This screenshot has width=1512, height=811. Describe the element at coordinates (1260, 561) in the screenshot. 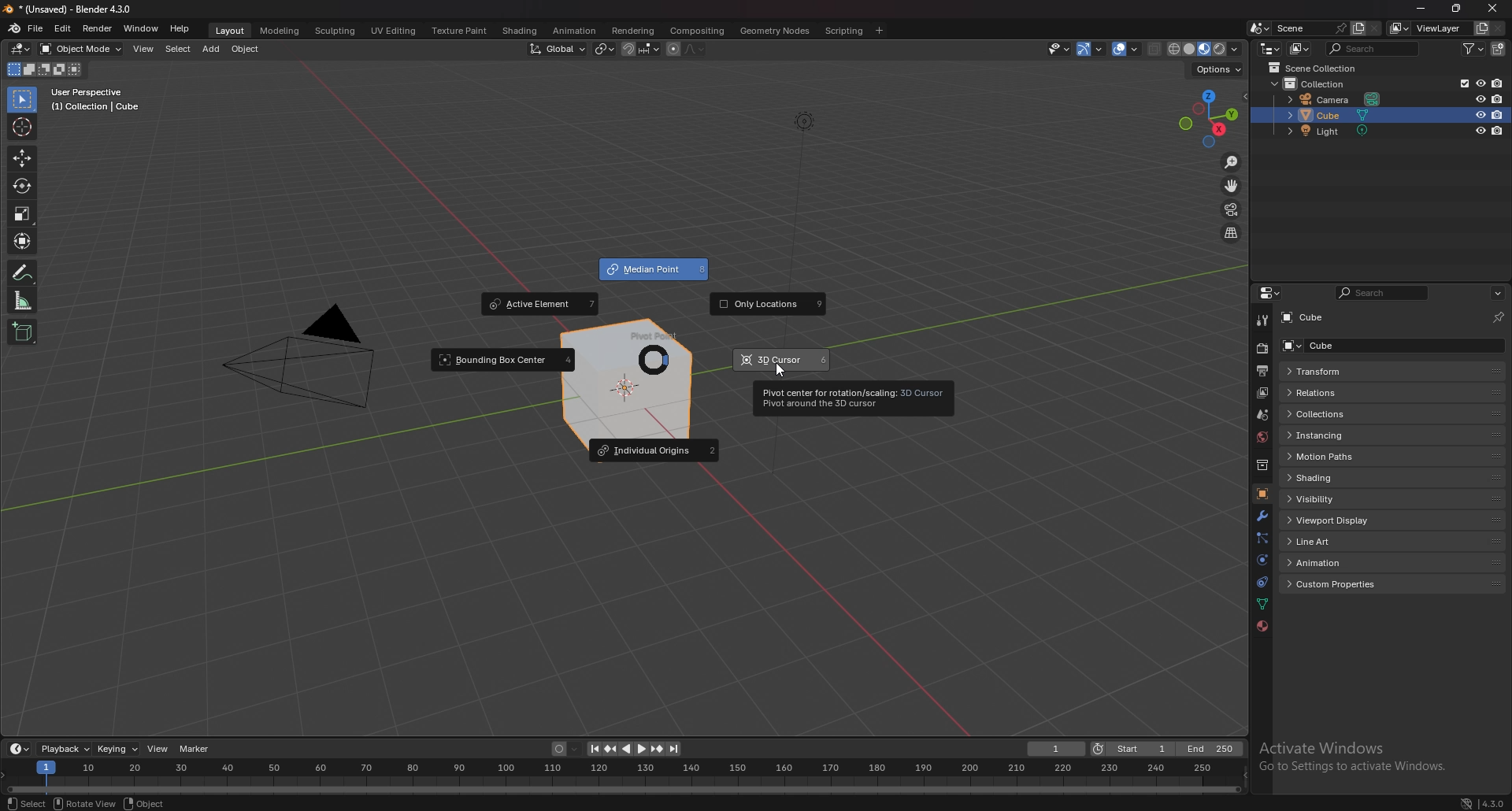

I see `physics` at that location.